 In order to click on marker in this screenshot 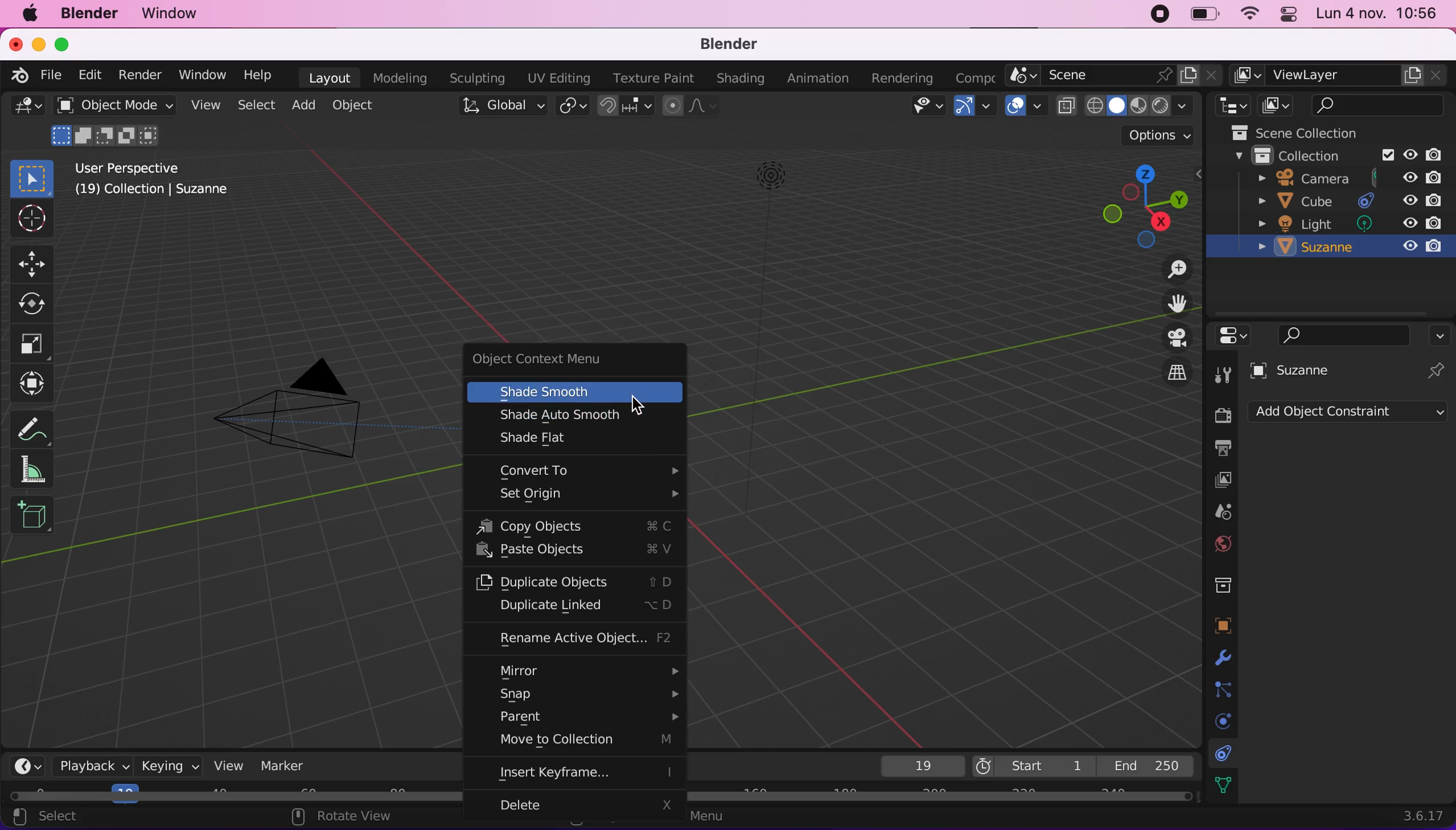, I will do `click(292, 764)`.